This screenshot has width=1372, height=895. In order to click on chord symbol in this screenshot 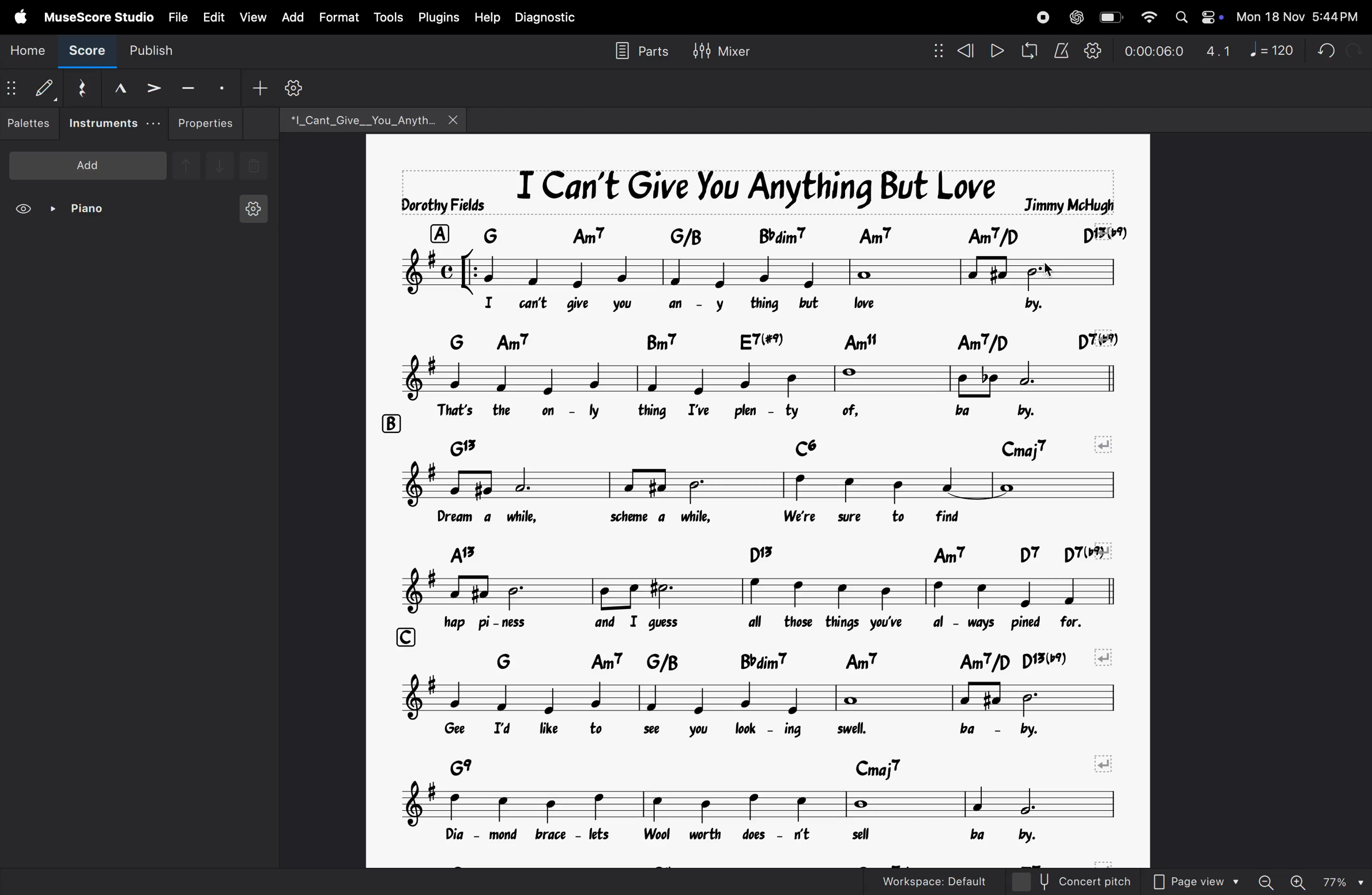, I will do `click(801, 234)`.